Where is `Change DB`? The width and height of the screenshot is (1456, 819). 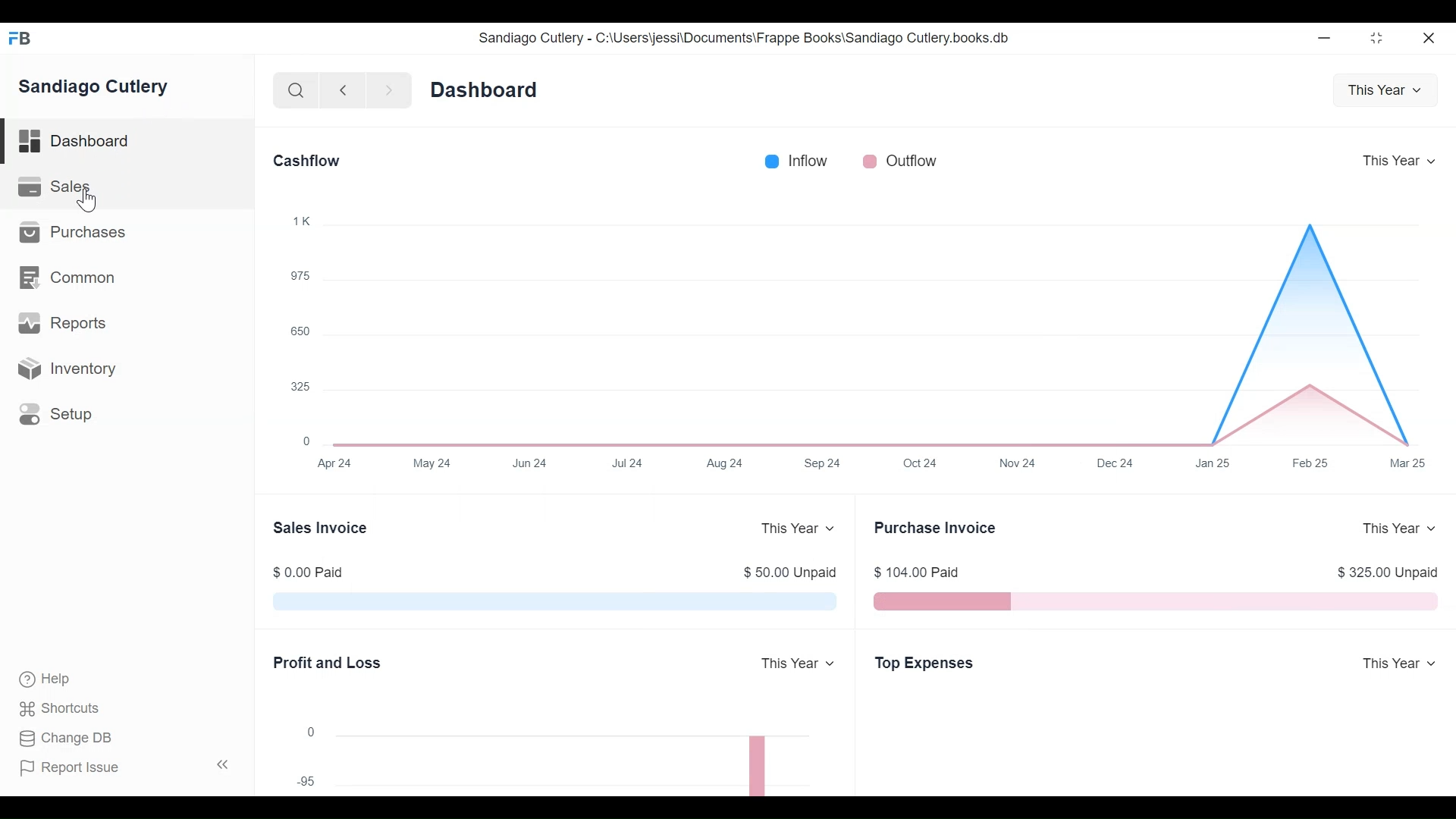 Change DB is located at coordinates (66, 739).